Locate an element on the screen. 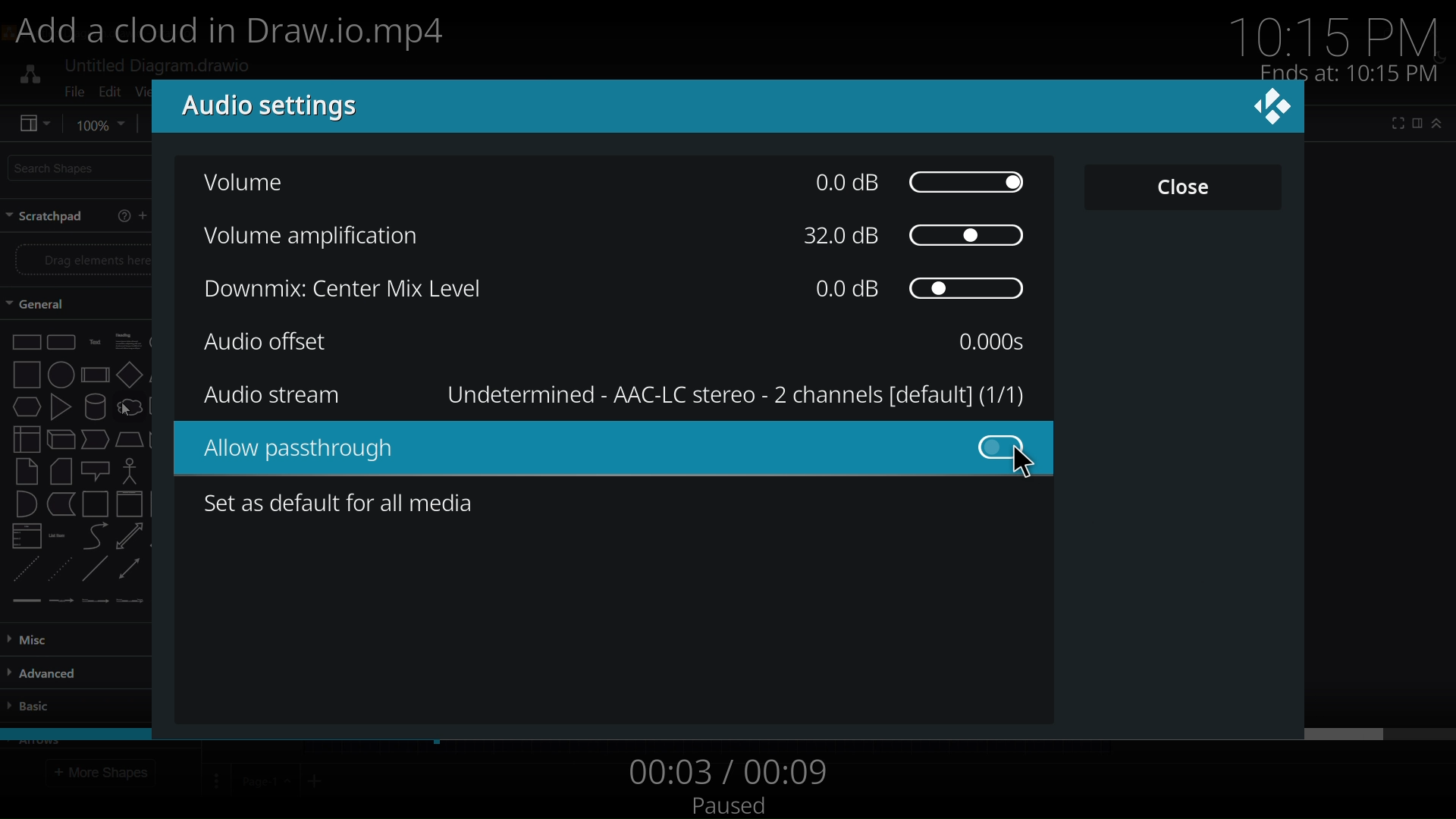  32.0dB is located at coordinates (914, 237).